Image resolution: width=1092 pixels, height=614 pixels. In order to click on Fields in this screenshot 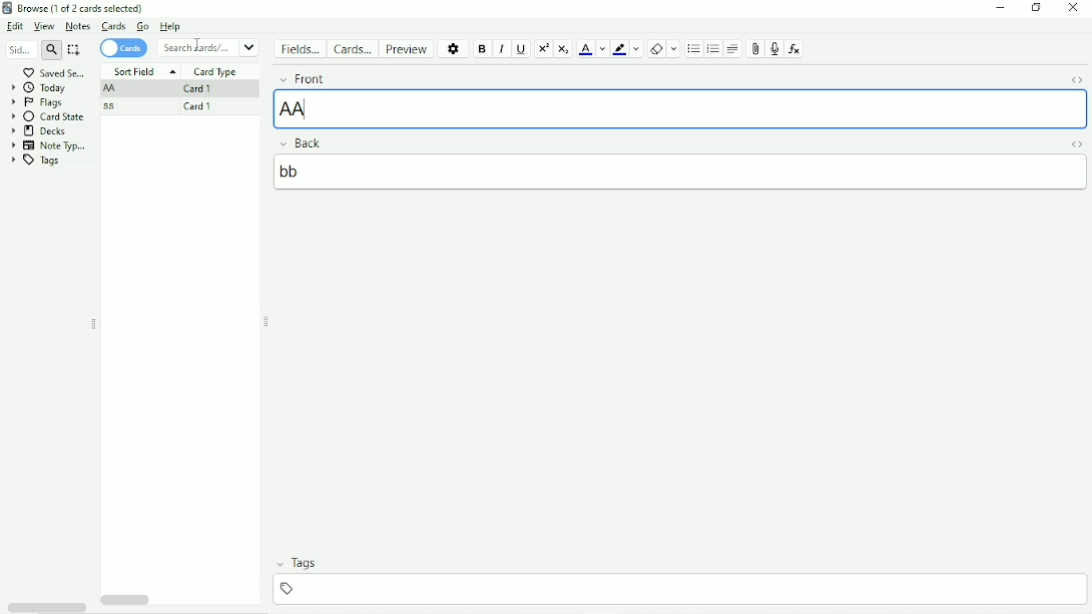, I will do `click(302, 49)`.